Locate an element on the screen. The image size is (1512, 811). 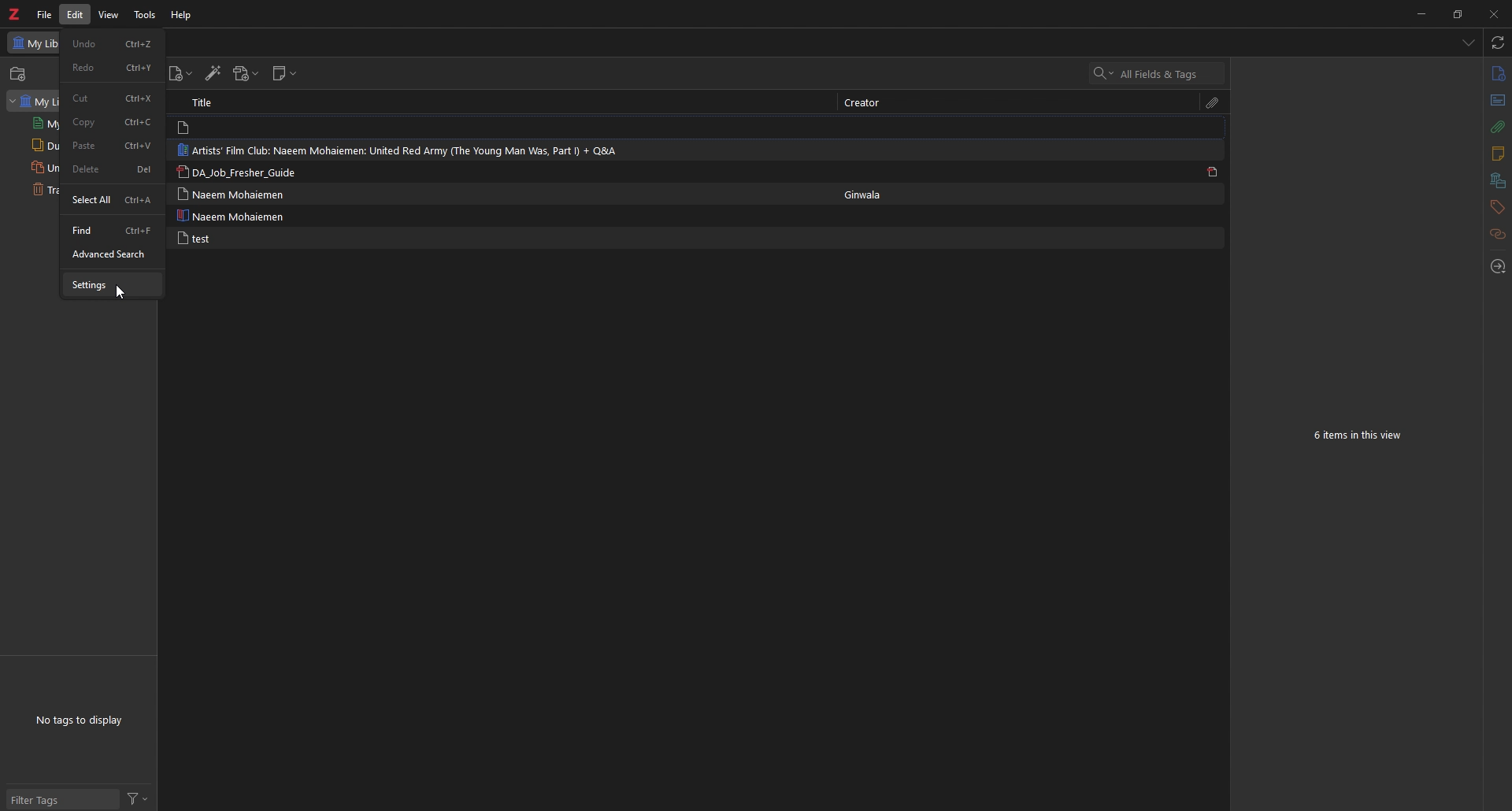
filter is located at coordinates (137, 799).